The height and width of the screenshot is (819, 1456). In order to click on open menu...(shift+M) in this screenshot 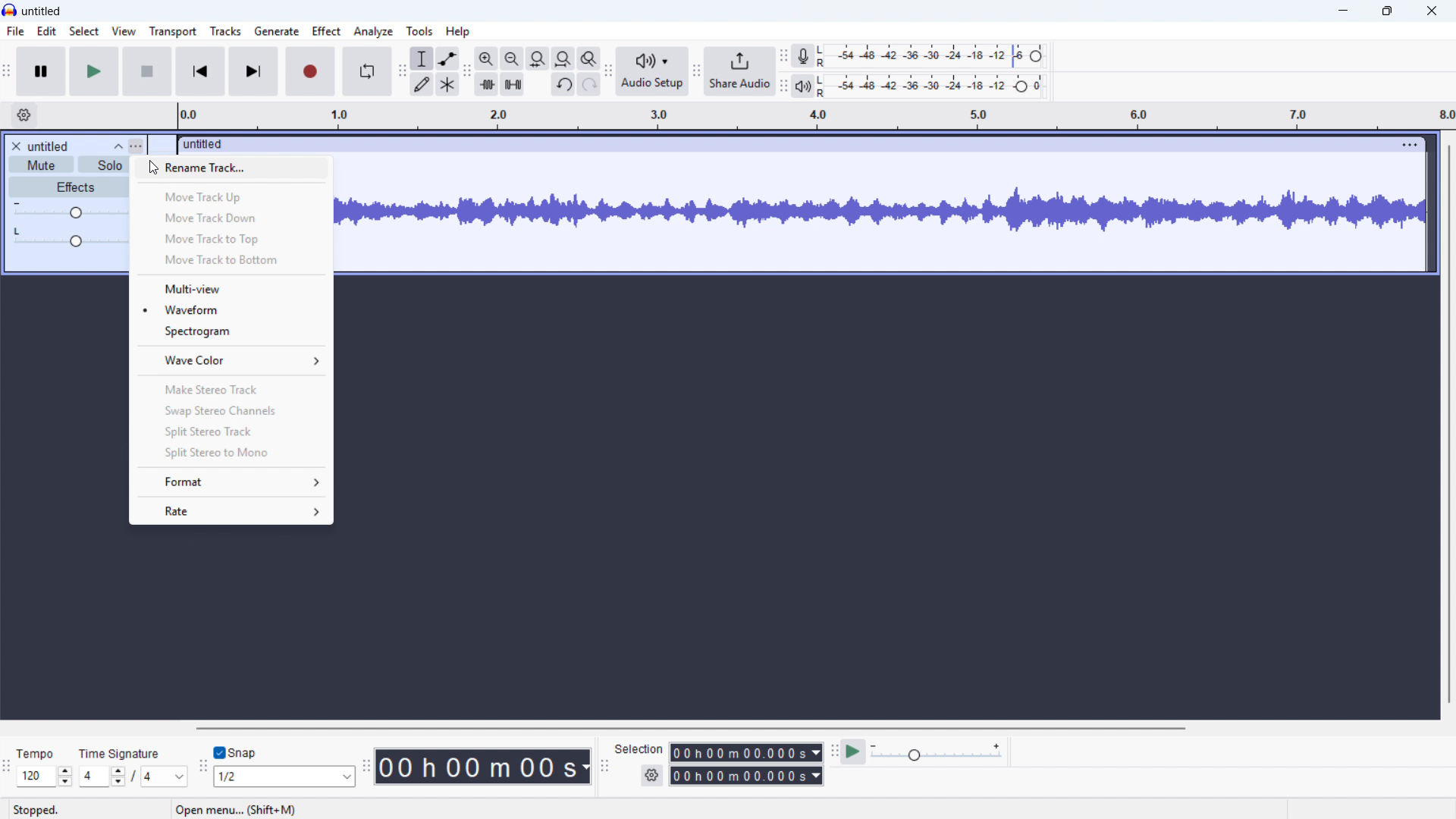, I will do `click(236, 810)`.